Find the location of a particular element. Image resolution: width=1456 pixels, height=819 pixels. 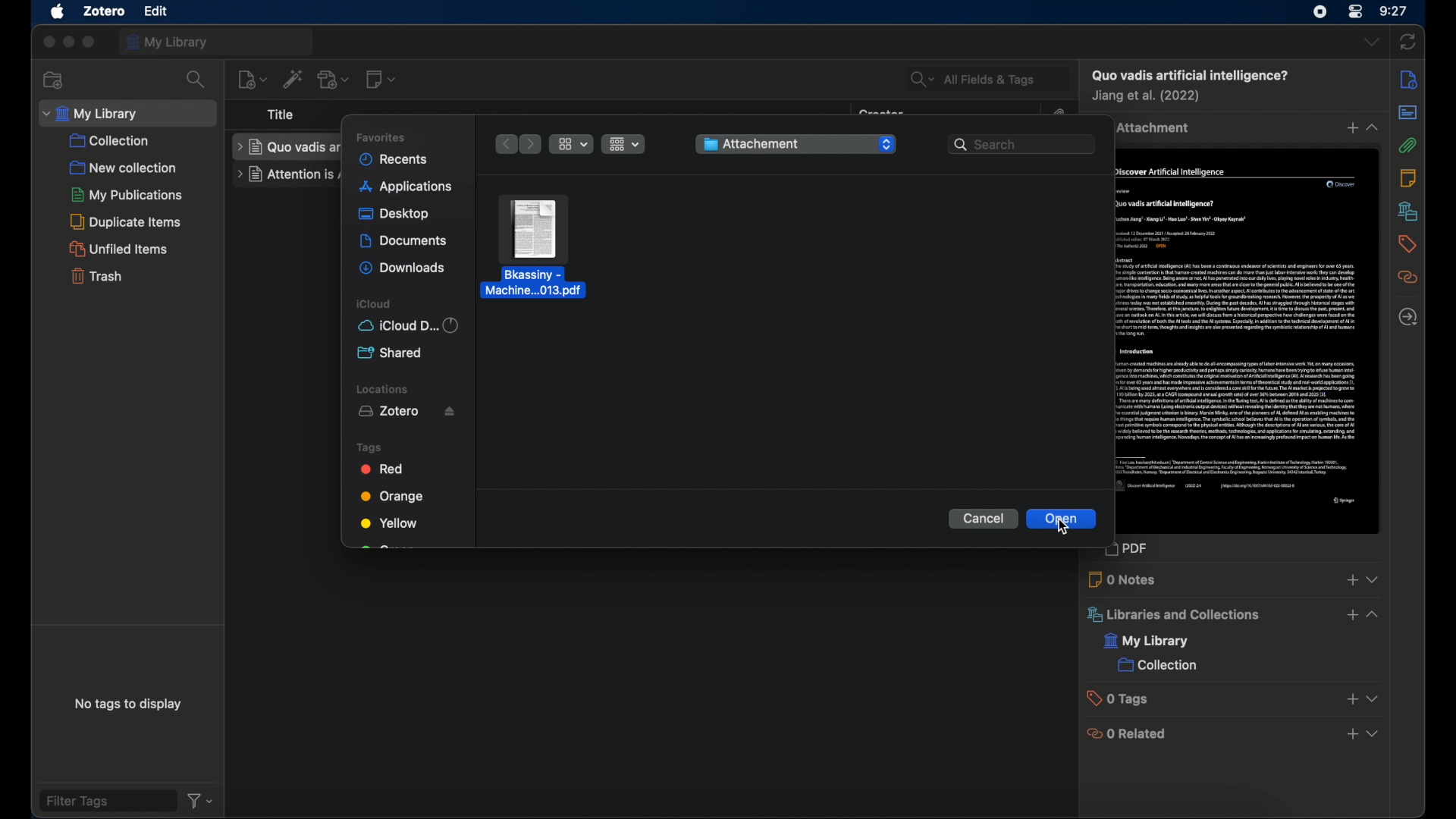

next is located at coordinates (532, 144).